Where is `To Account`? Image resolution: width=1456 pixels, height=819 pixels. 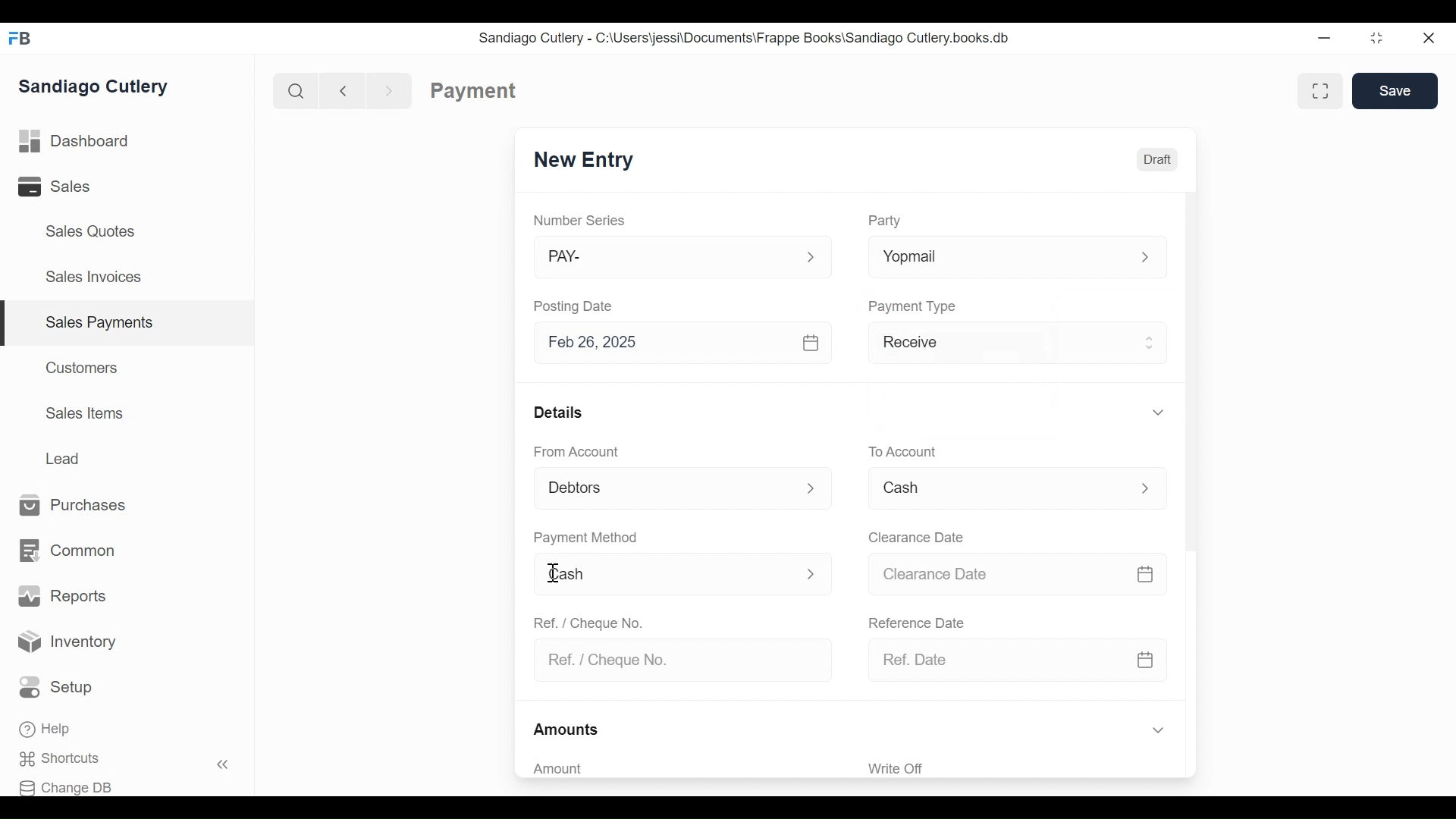
To Account is located at coordinates (902, 452).